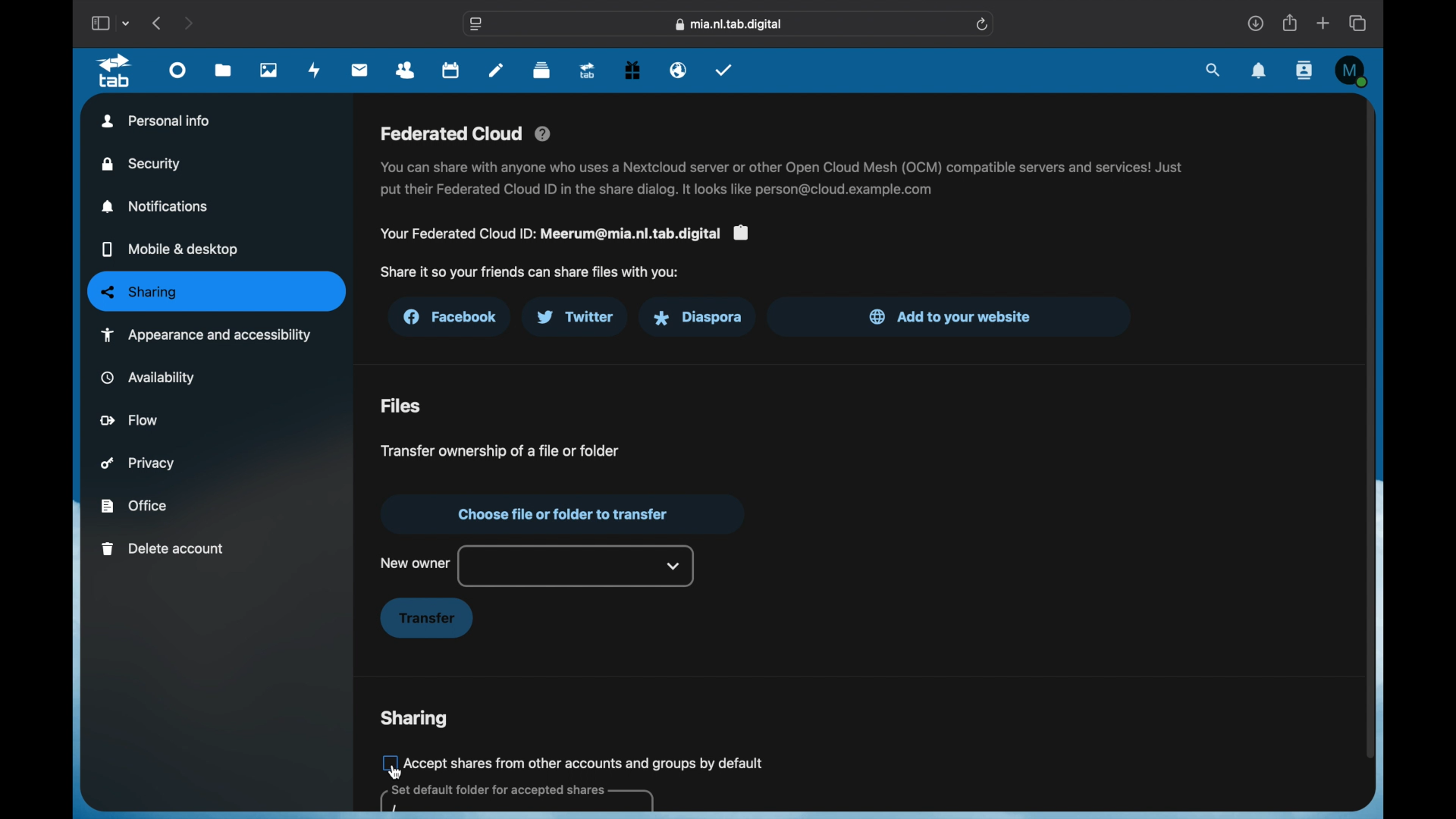 The width and height of the screenshot is (1456, 819). What do you see at coordinates (588, 71) in the screenshot?
I see `upgrade` at bounding box center [588, 71].